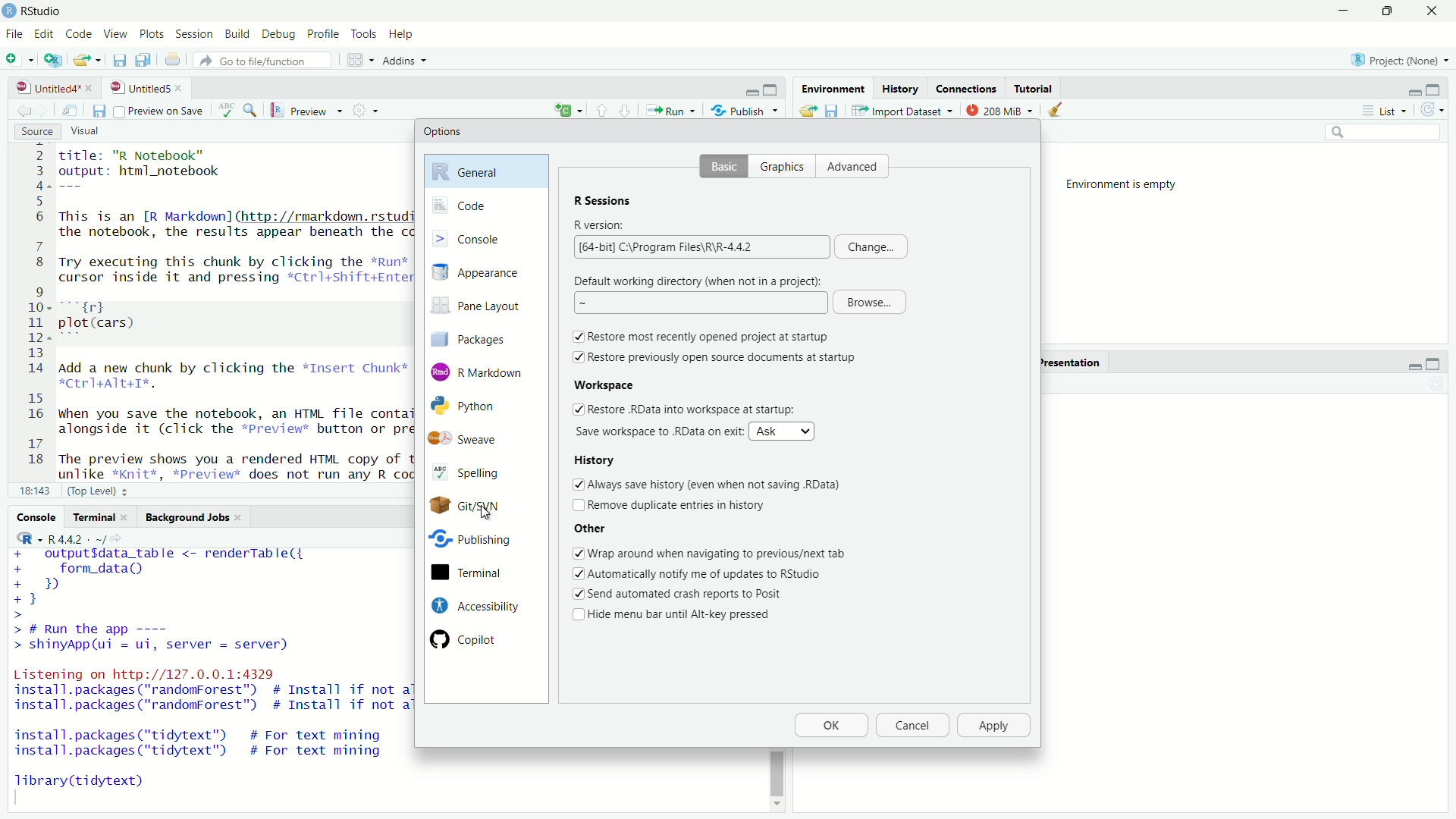  Describe the element at coordinates (472, 506) in the screenshot. I see `Git/SVN` at that location.